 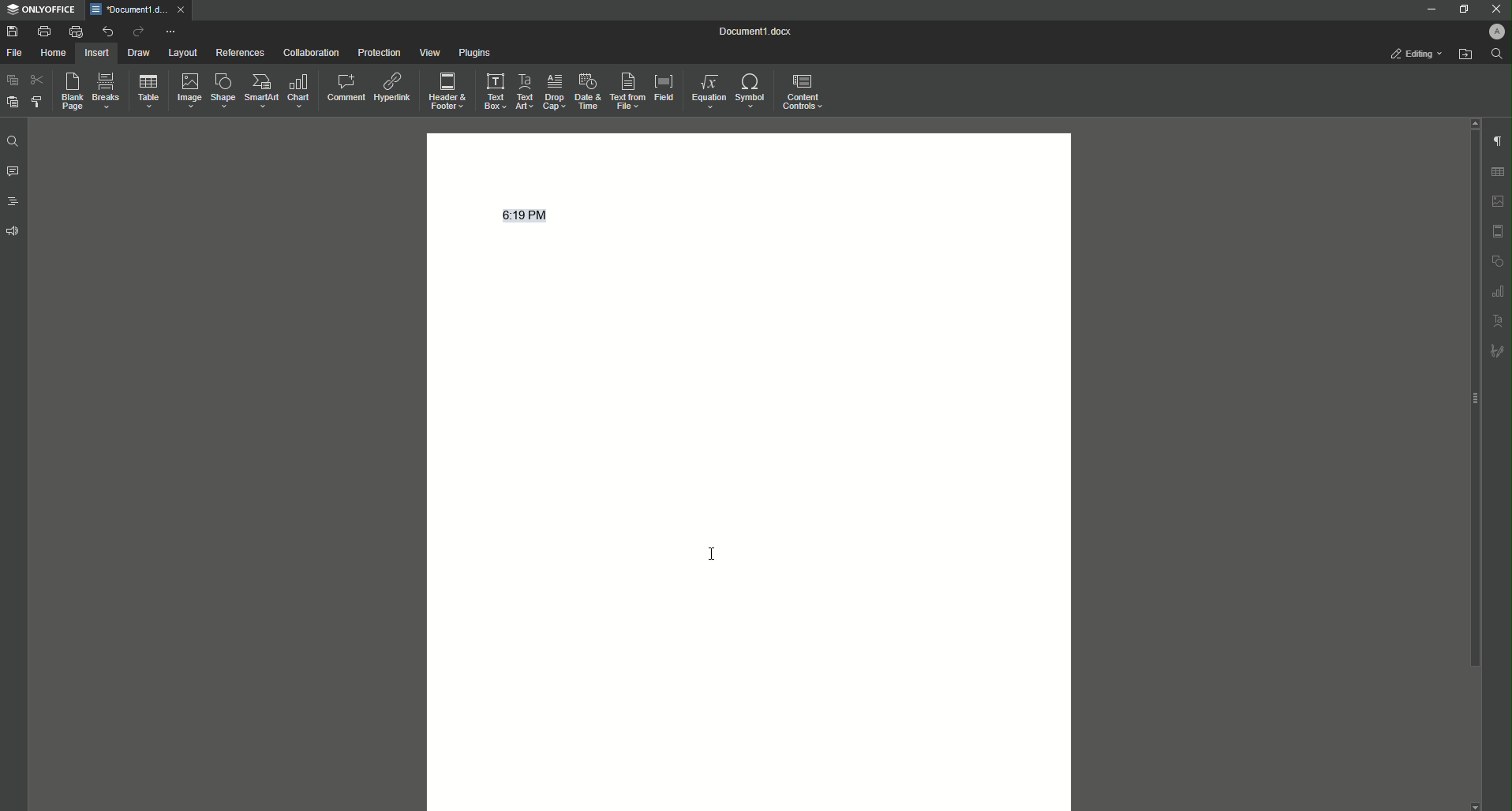 I want to click on Date and Time, so click(x=586, y=90).